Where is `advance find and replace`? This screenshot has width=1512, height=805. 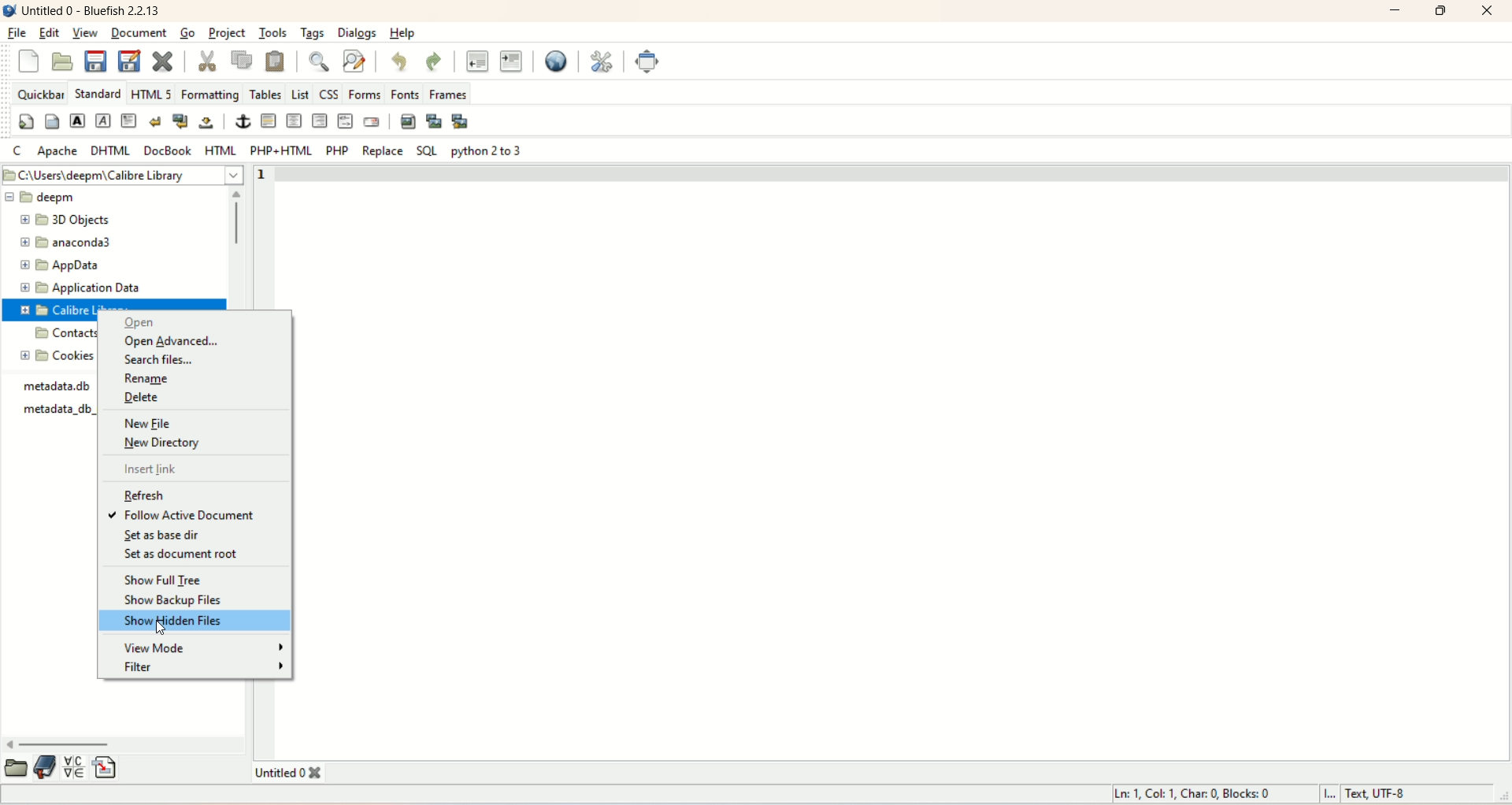
advance find and replace is located at coordinates (355, 62).